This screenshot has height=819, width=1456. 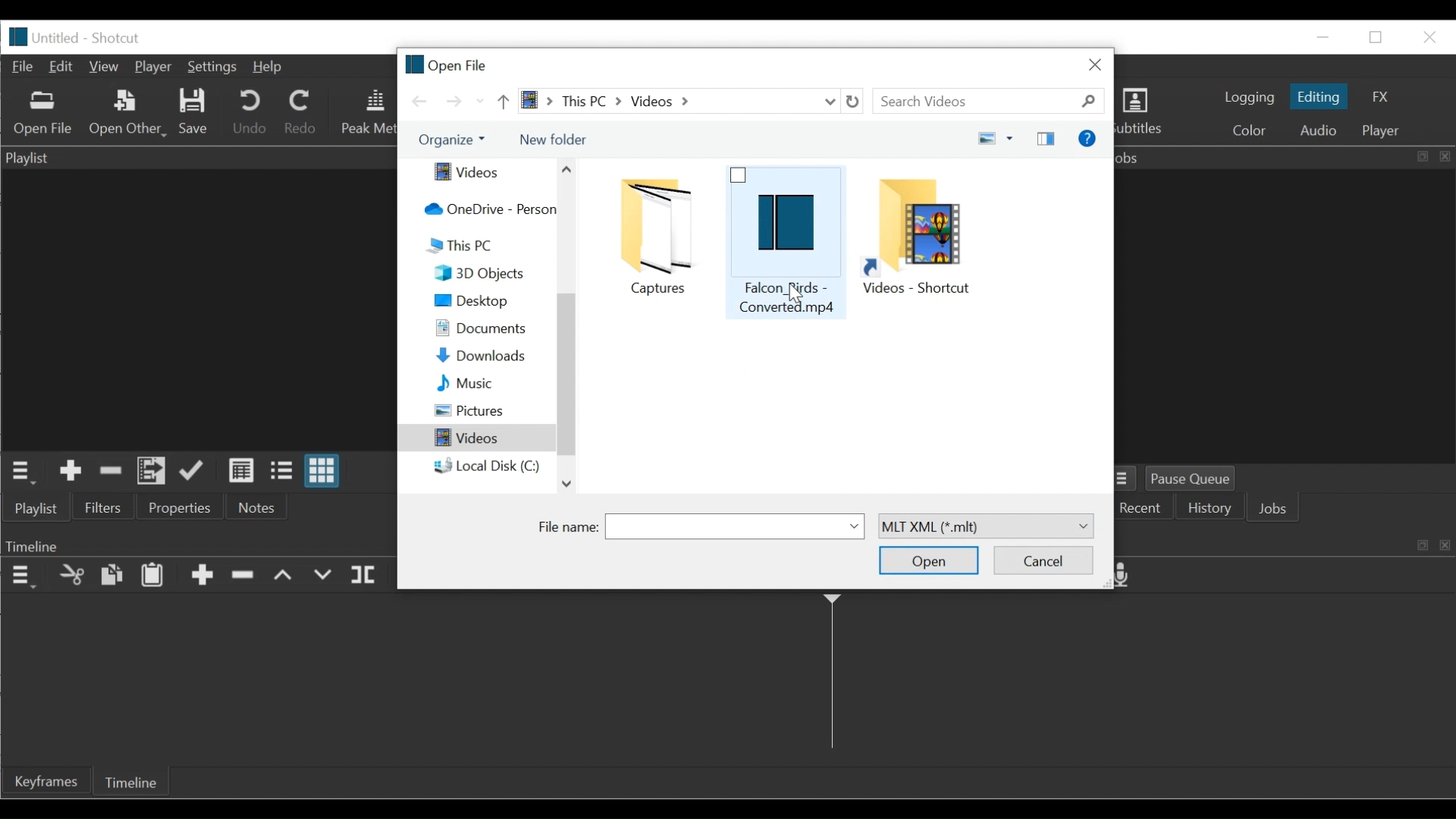 I want to click on Notes, so click(x=256, y=507).